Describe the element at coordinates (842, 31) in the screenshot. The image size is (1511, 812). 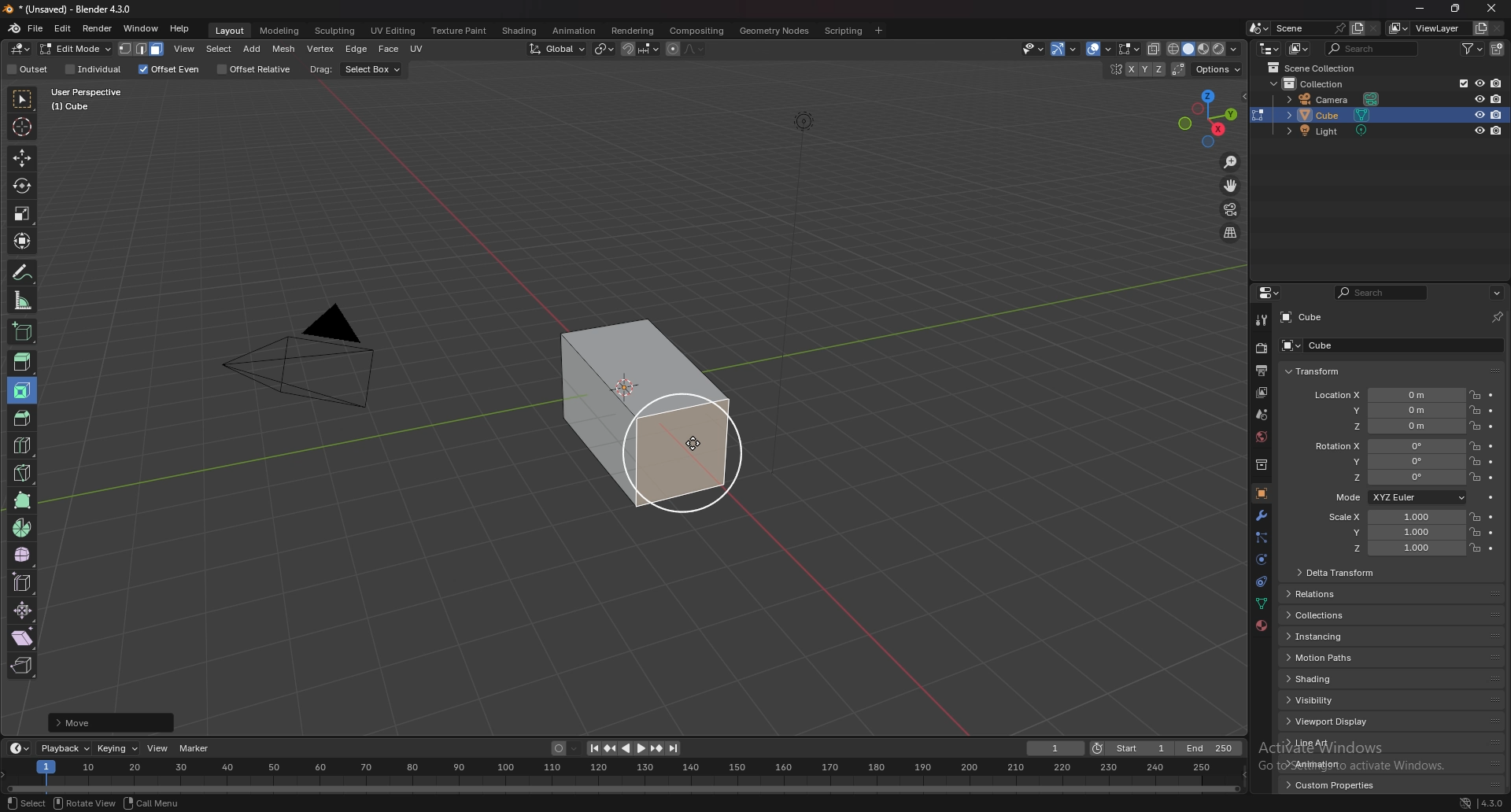
I see `scripting` at that location.